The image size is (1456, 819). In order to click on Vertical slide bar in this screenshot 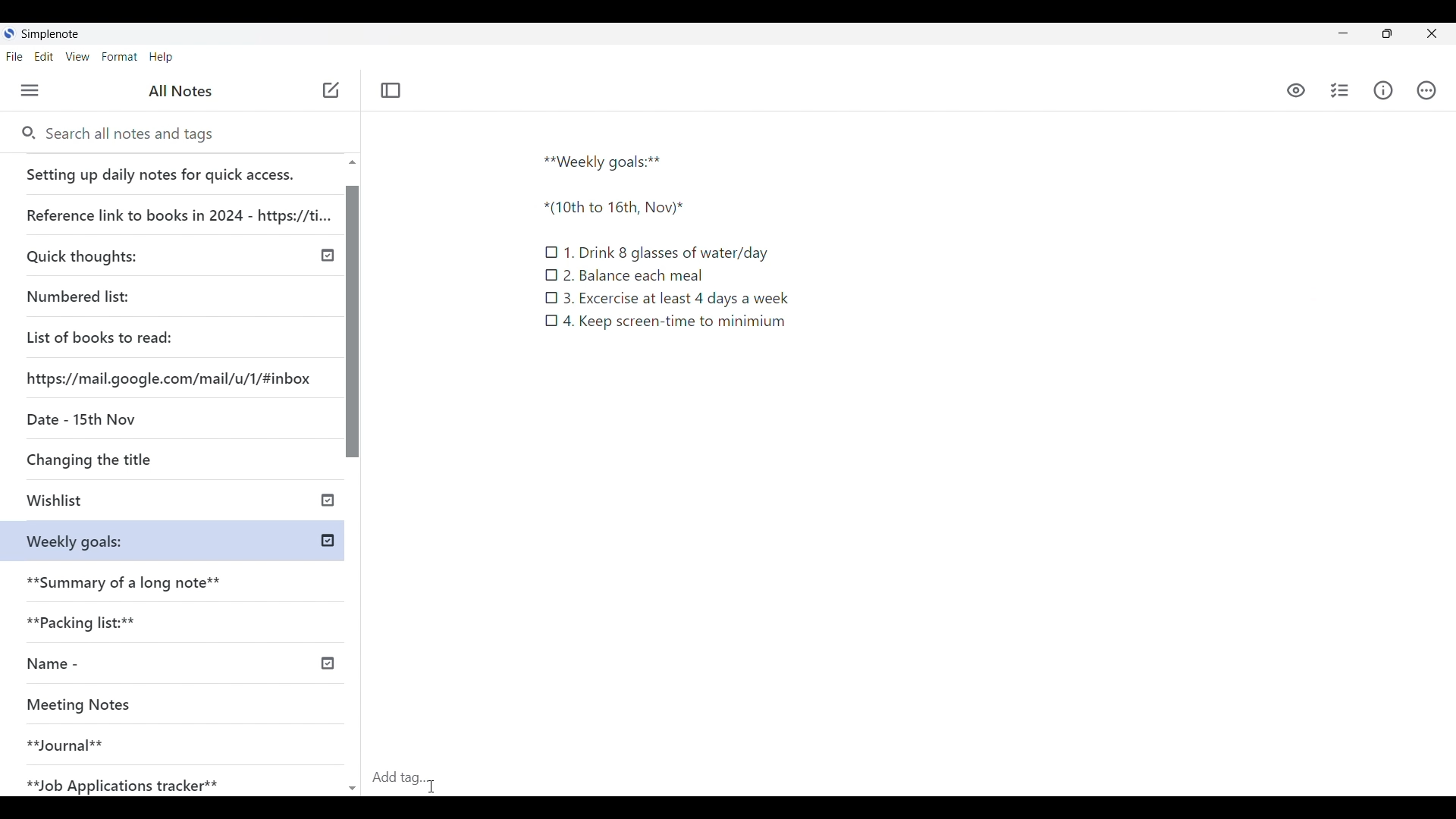, I will do `click(354, 482)`.